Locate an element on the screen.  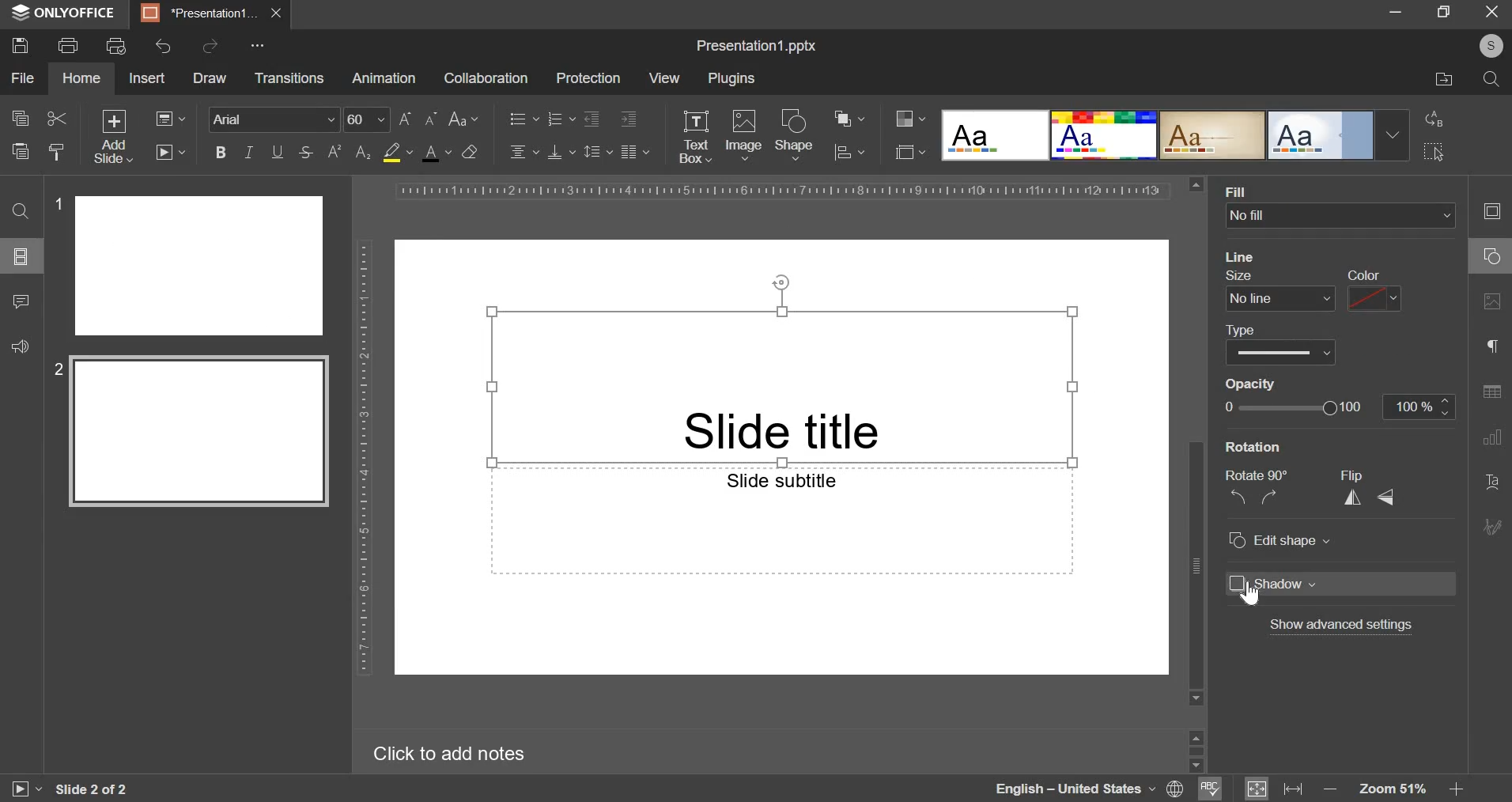
chart settings is located at coordinates (1492, 437).